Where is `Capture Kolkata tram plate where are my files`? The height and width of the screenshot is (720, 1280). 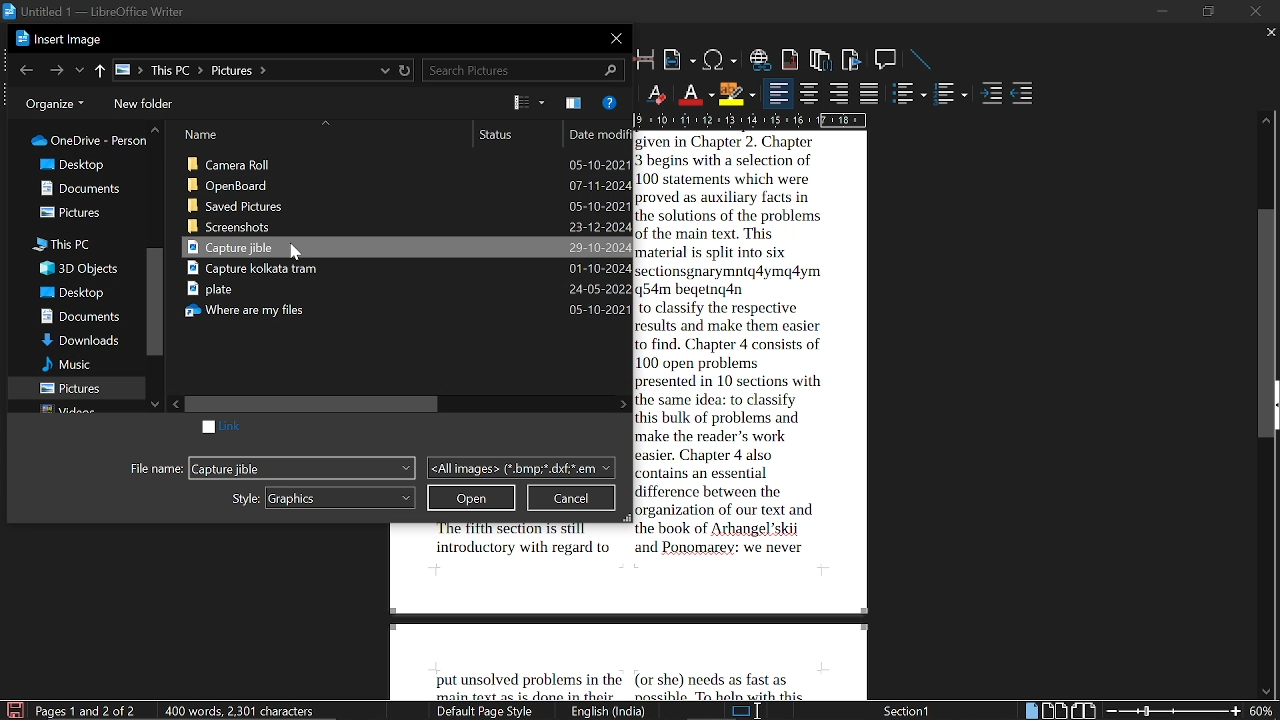 Capture Kolkata tram plate where are my files is located at coordinates (405, 298).